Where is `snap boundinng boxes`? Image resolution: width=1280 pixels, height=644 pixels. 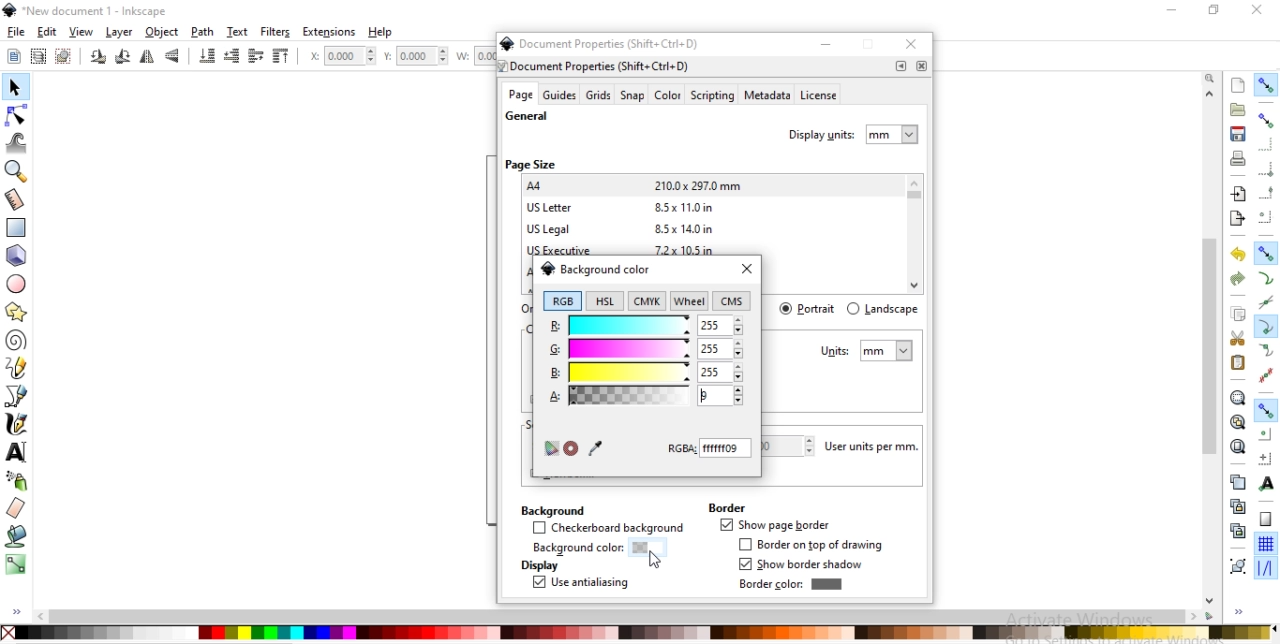
snap boundinng boxes is located at coordinates (1265, 121).